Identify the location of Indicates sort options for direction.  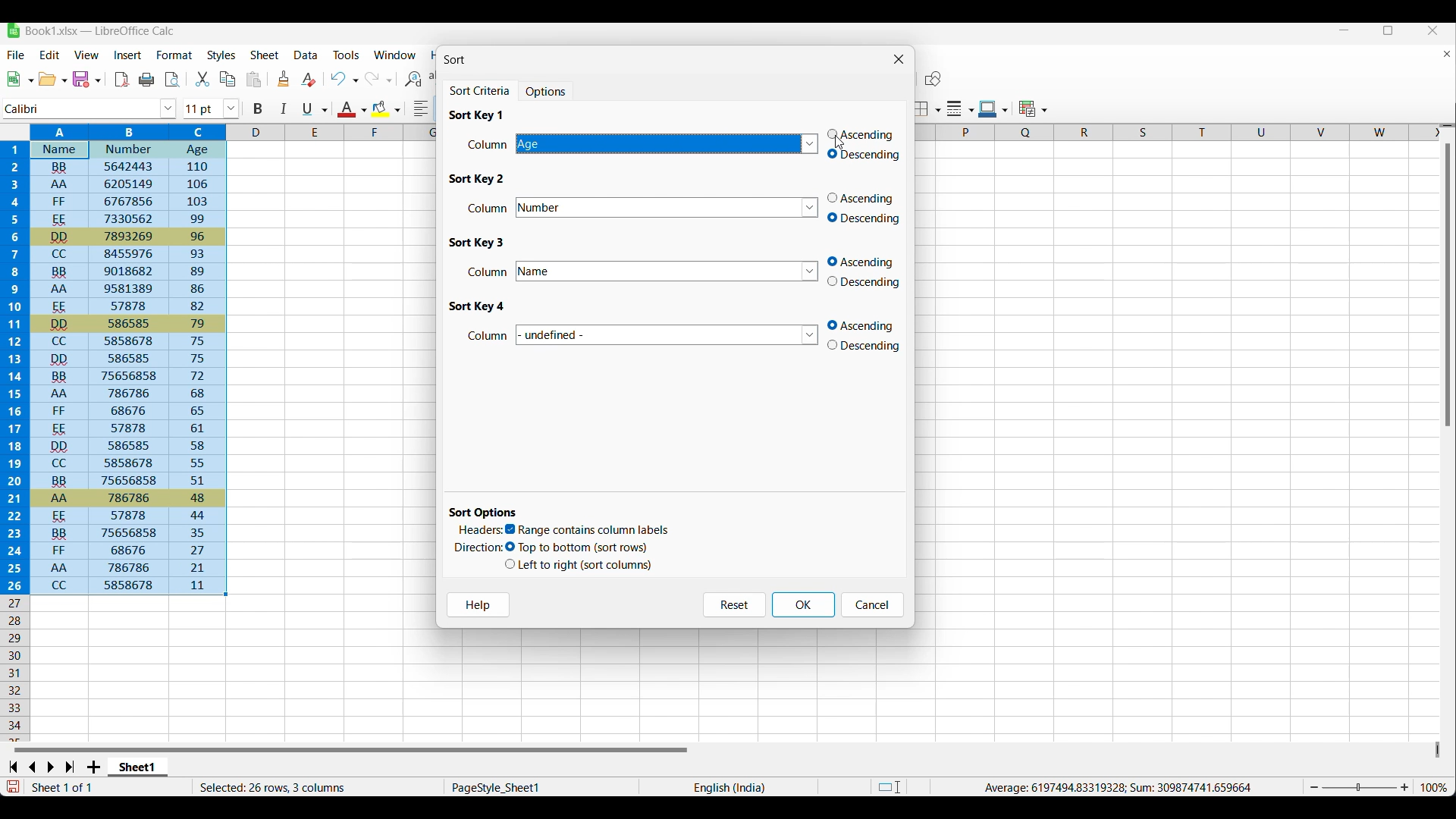
(479, 548).